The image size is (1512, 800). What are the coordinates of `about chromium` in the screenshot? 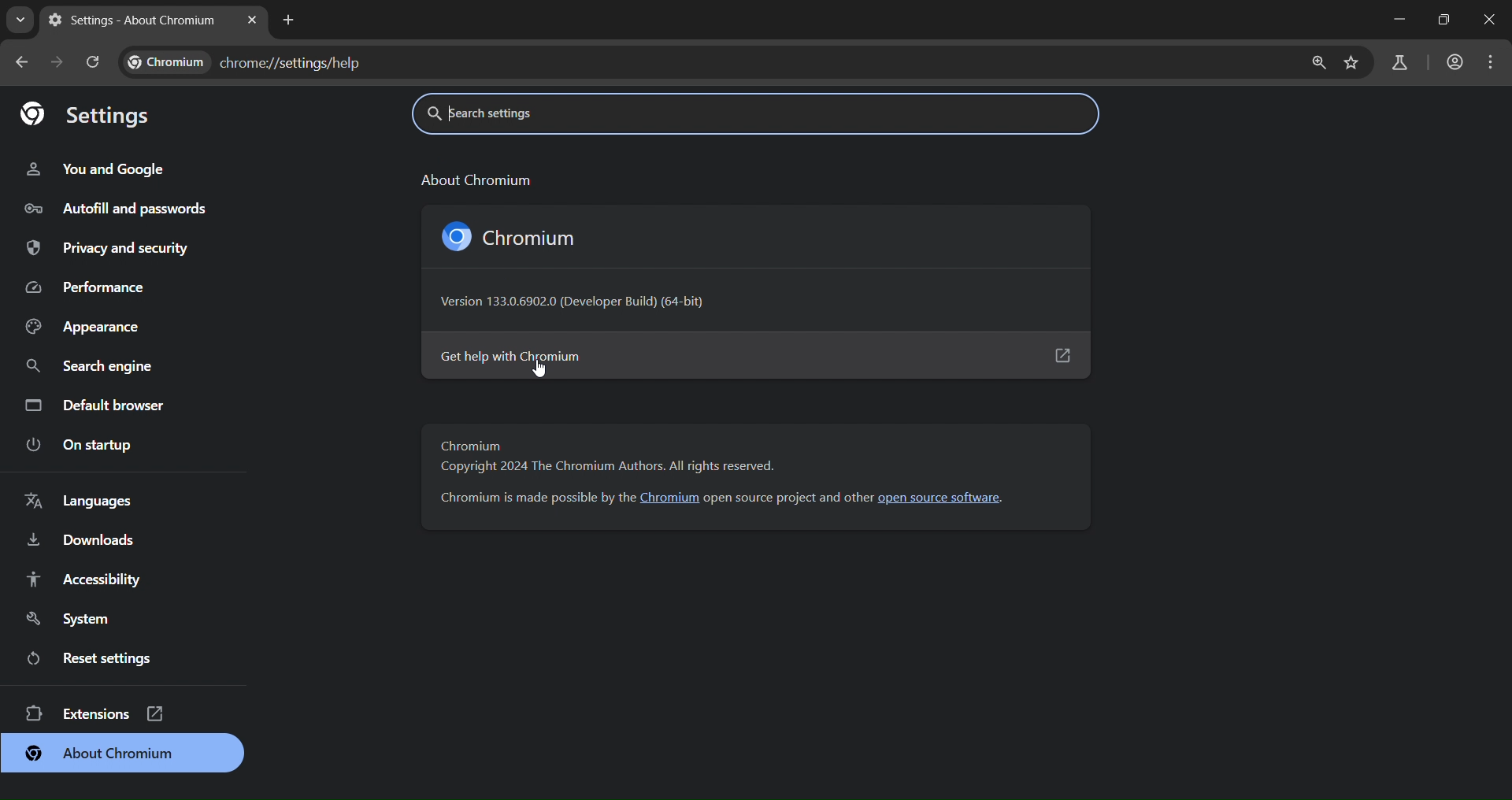 It's located at (100, 755).